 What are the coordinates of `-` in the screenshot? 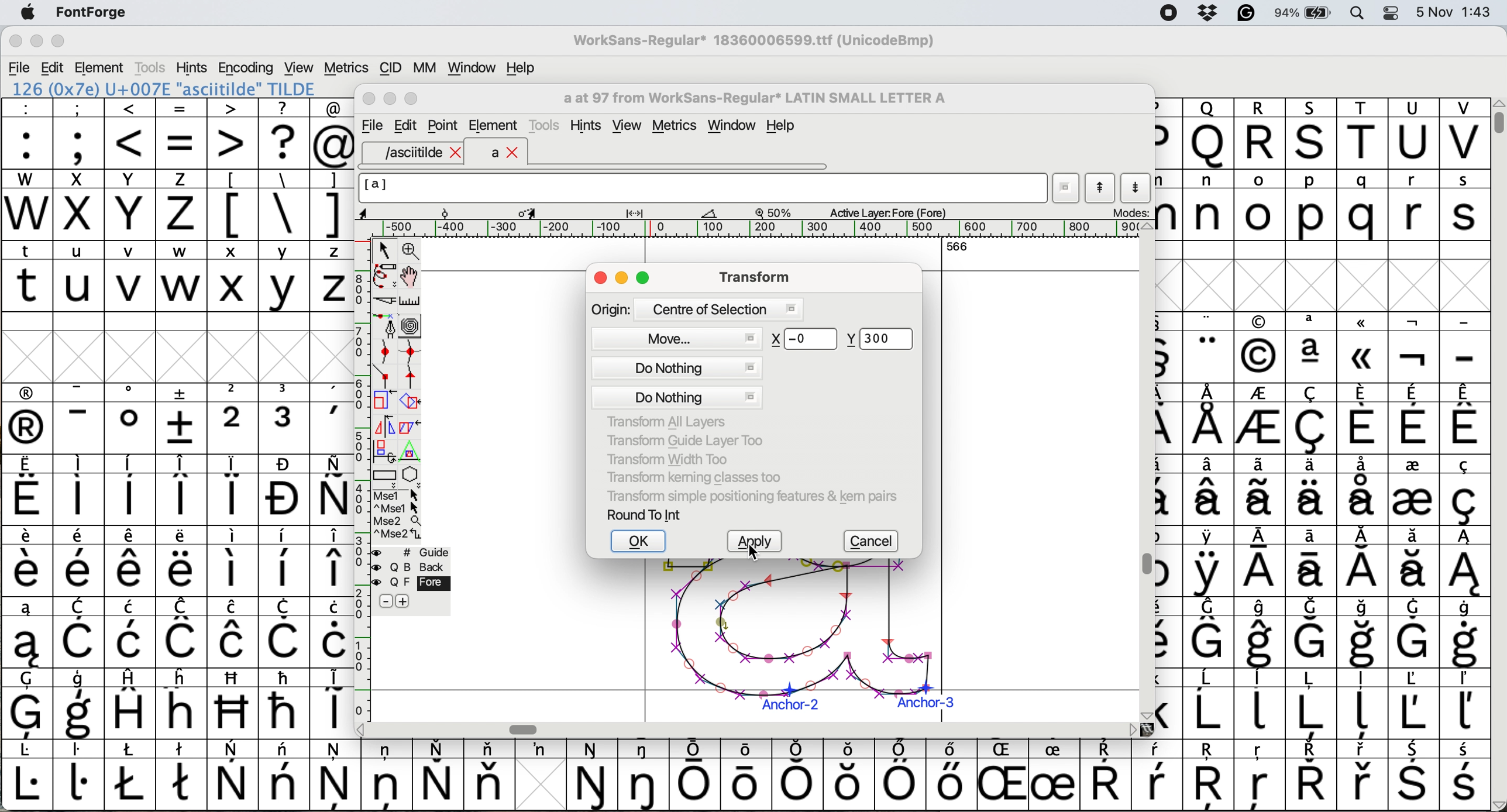 It's located at (1465, 349).